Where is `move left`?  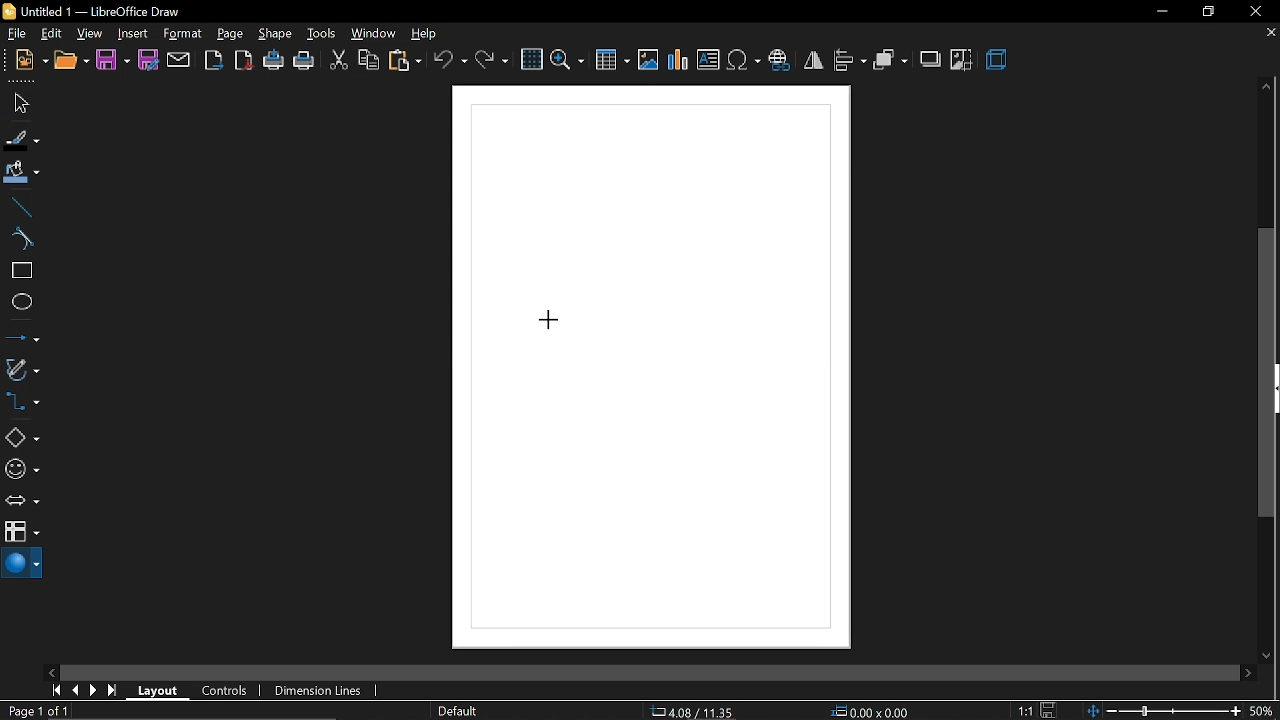 move left is located at coordinates (53, 673).